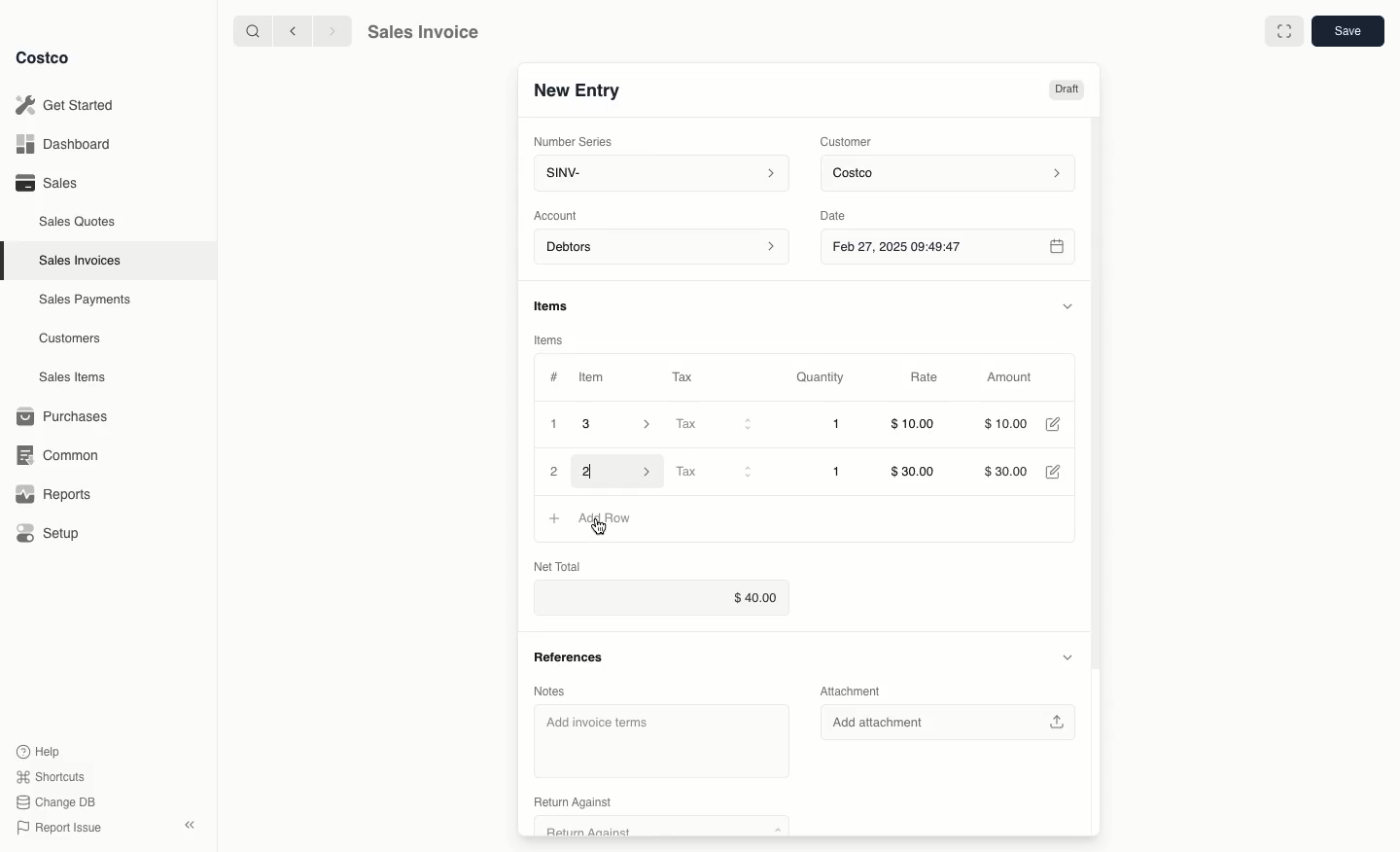 The image size is (1400, 852). I want to click on Full width toggle, so click(1283, 31).